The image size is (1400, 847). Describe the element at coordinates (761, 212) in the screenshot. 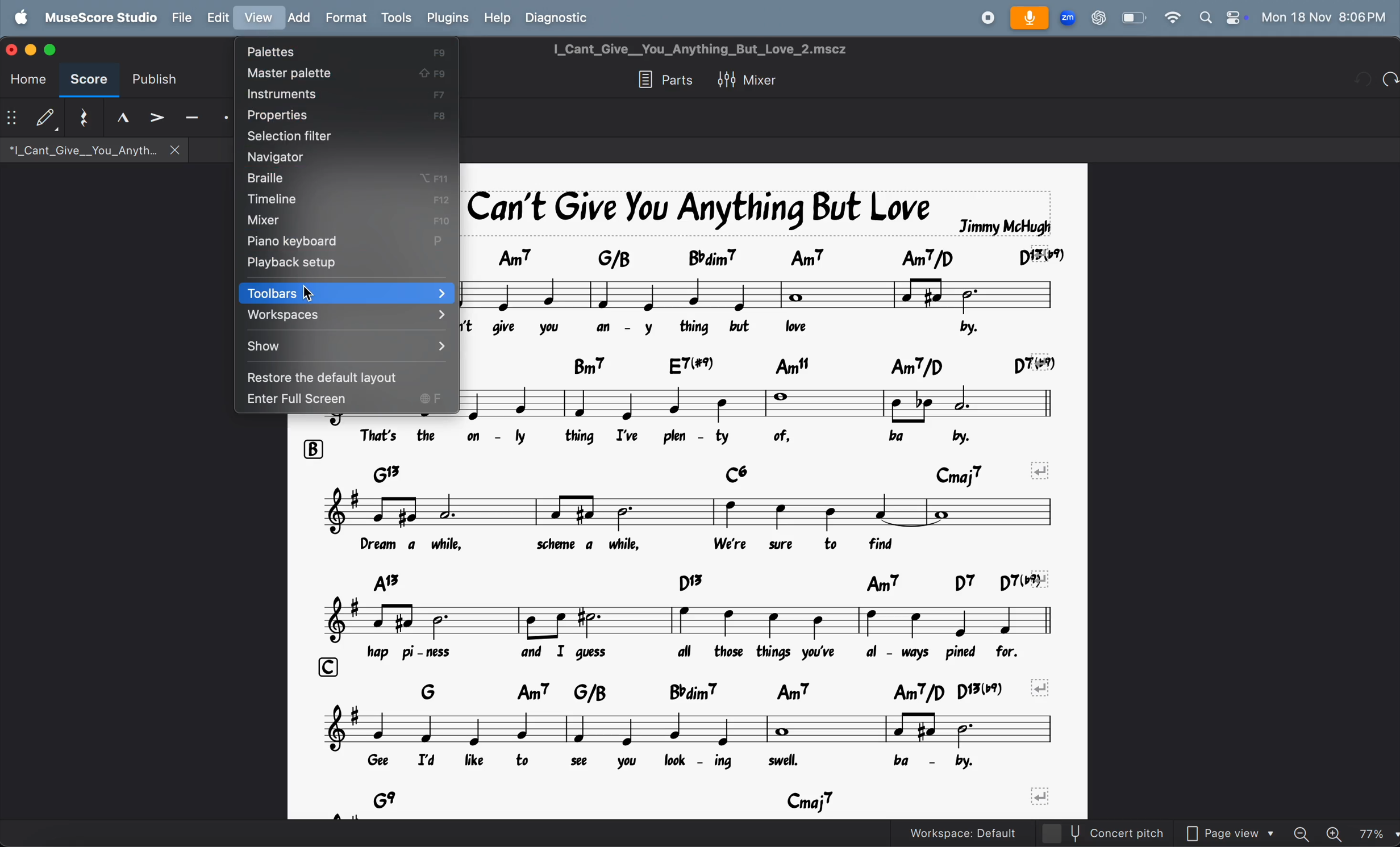

I see `song title` at that location.